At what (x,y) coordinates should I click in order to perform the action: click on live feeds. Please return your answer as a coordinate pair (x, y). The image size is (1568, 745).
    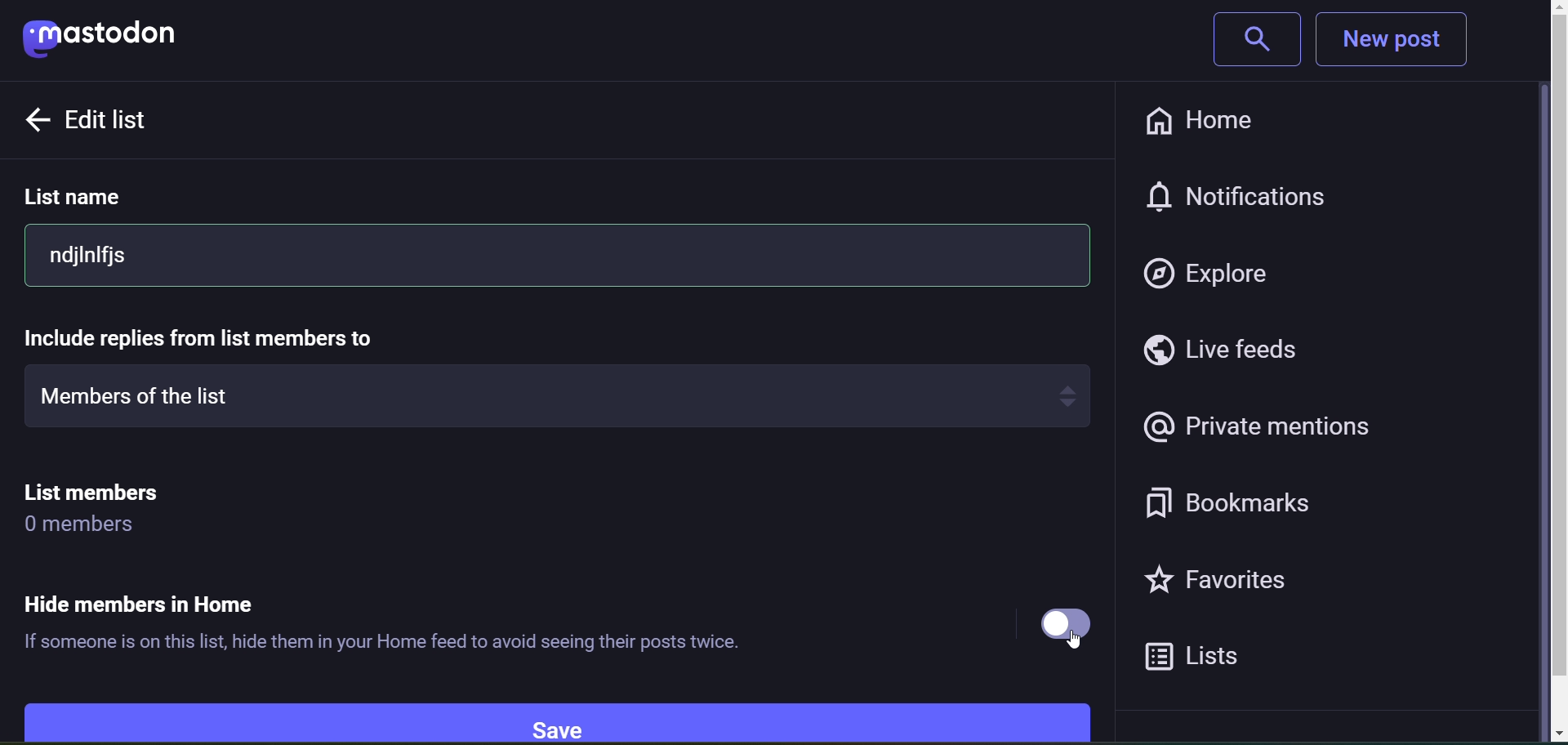
    Looking at the image, I should click on (1236, 352).